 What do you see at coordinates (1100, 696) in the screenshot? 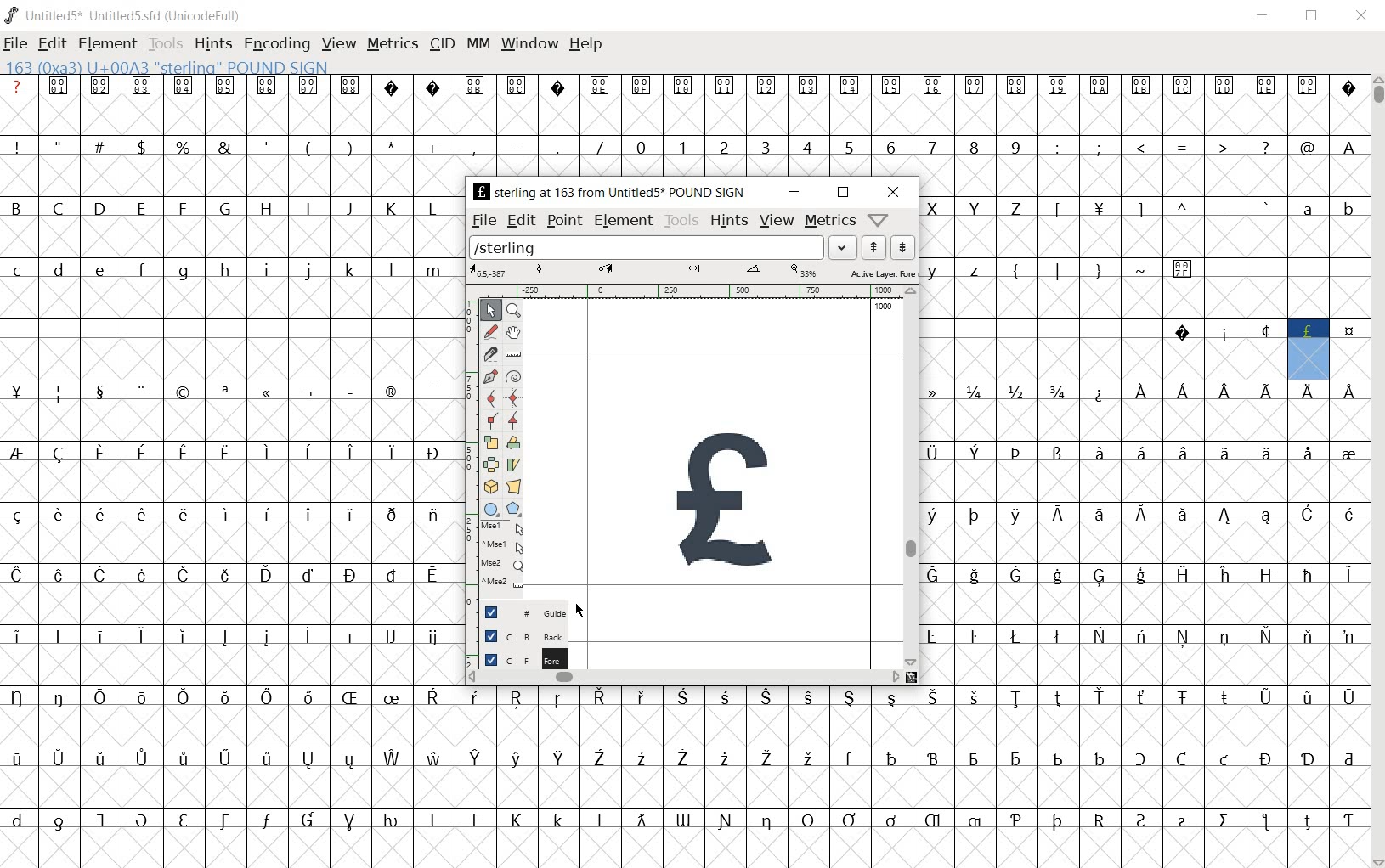
I see `Symbol` at bounding box center [1100, 696].